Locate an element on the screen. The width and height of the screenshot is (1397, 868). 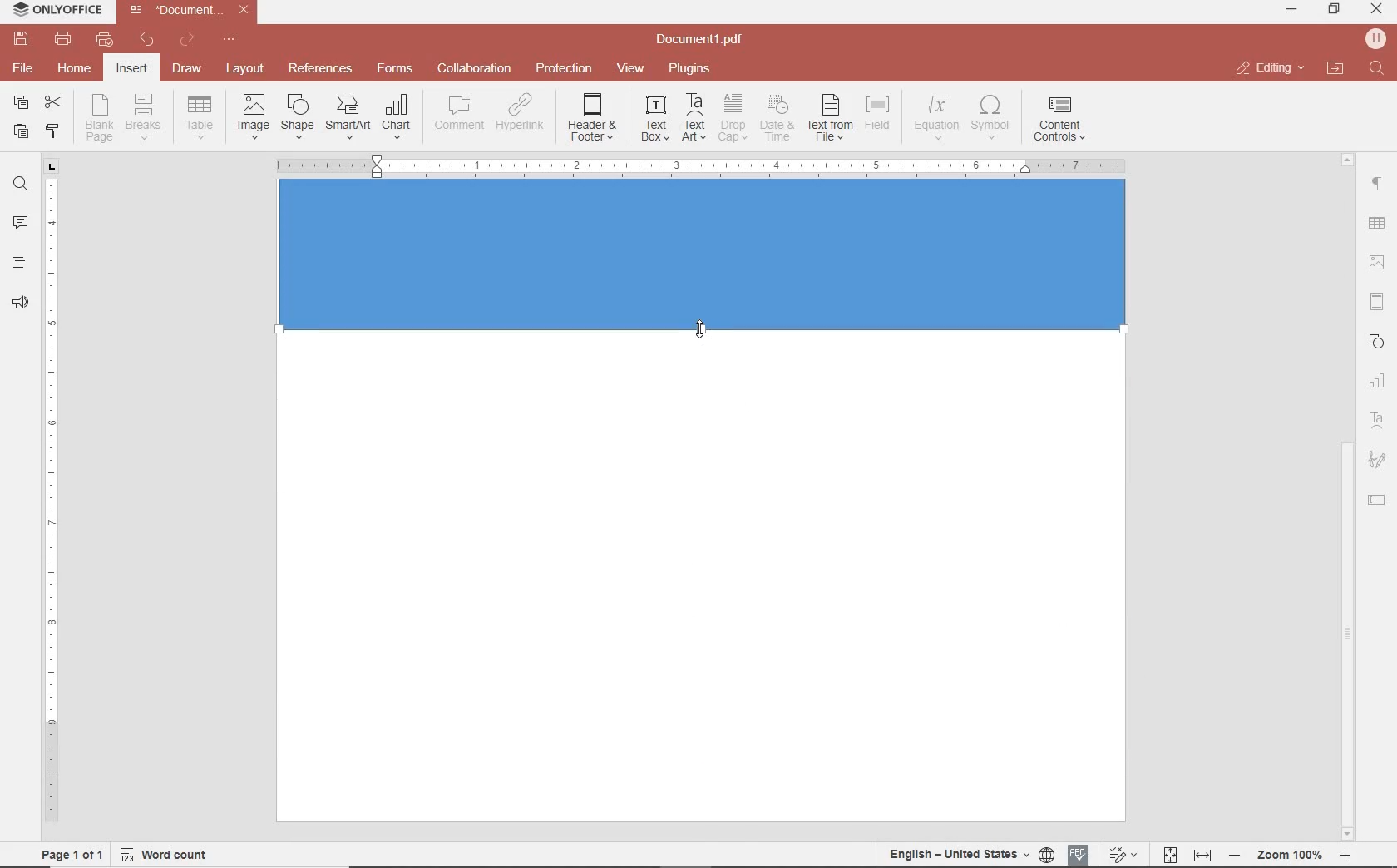
cut is located at coordinates (52, 104).